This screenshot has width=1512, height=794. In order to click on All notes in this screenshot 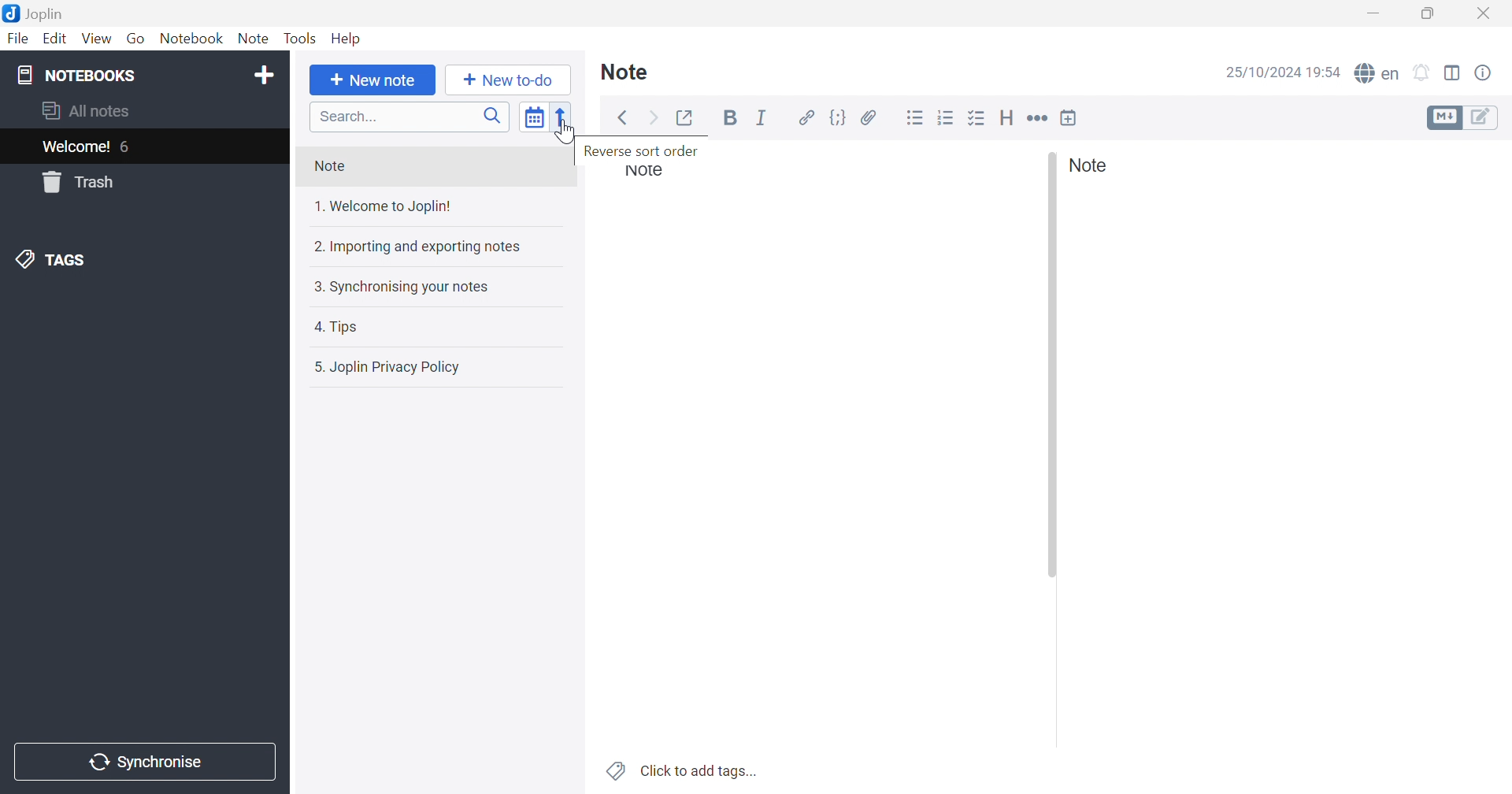, I will do `click(84, 111)`.